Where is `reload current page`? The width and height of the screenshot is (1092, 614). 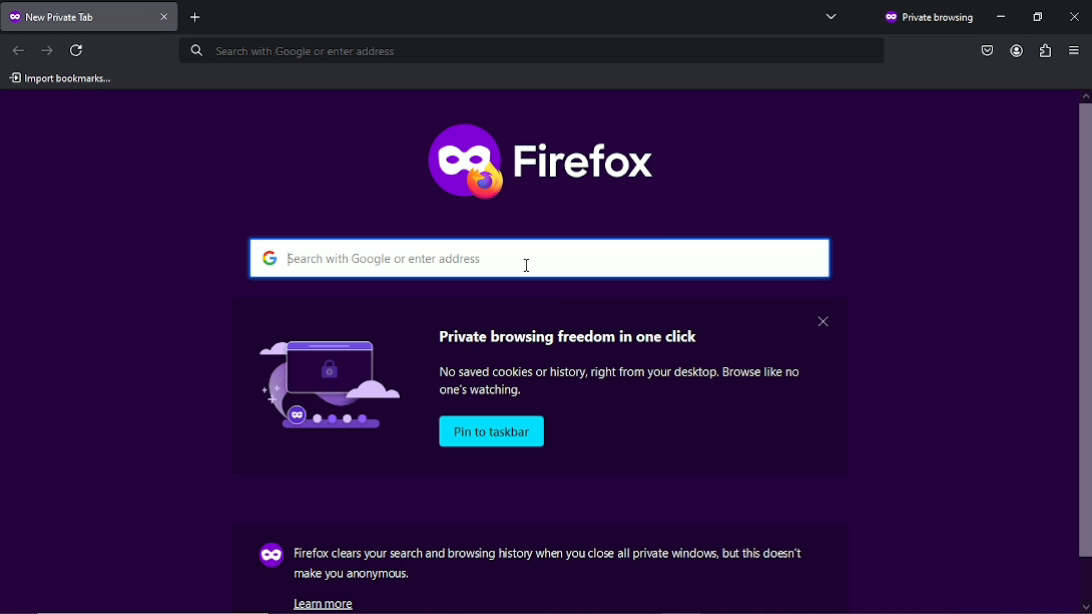
reload current page is located at coordinates (79, 50).